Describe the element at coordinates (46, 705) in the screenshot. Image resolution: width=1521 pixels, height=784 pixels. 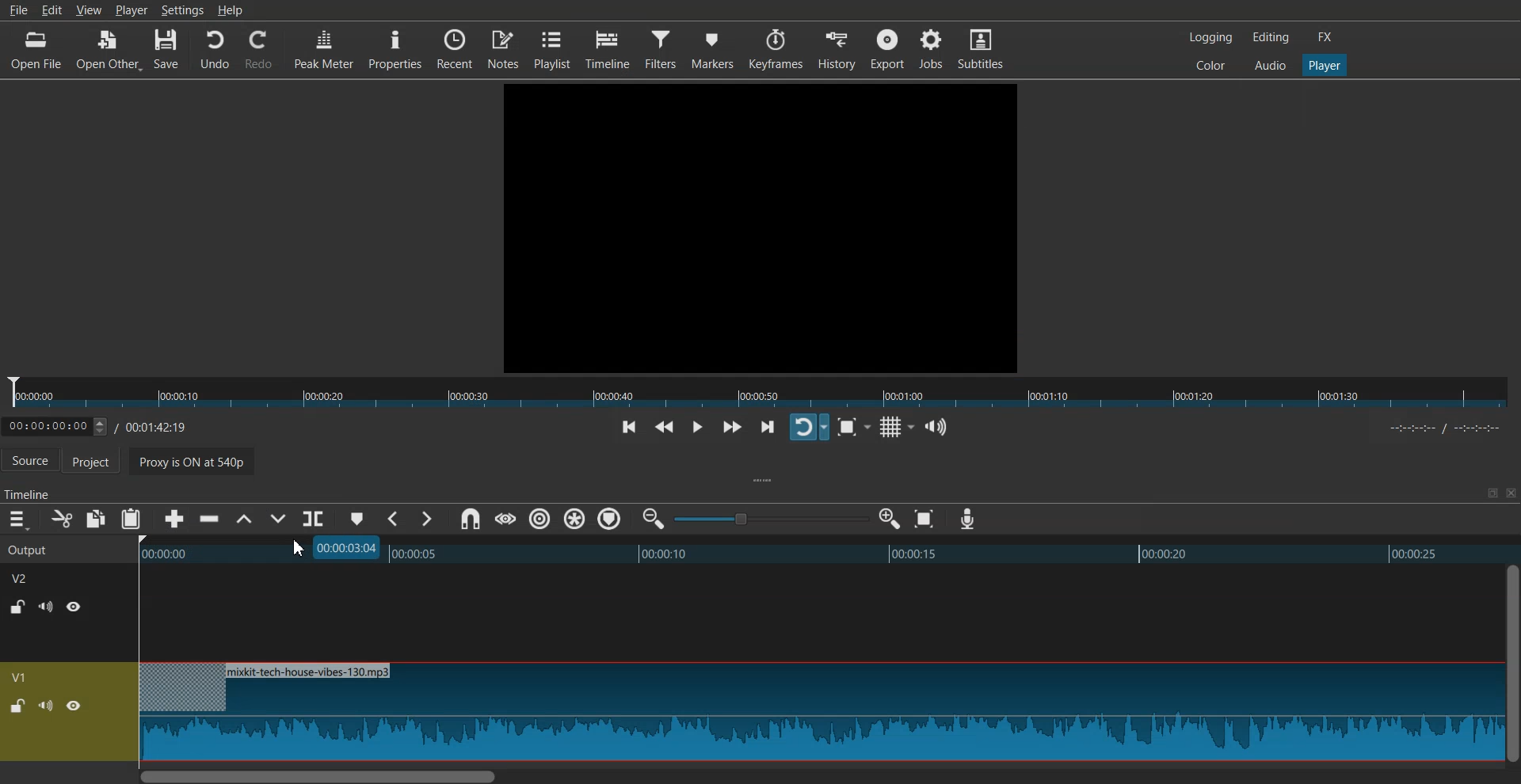
I see `Mute` at that location.